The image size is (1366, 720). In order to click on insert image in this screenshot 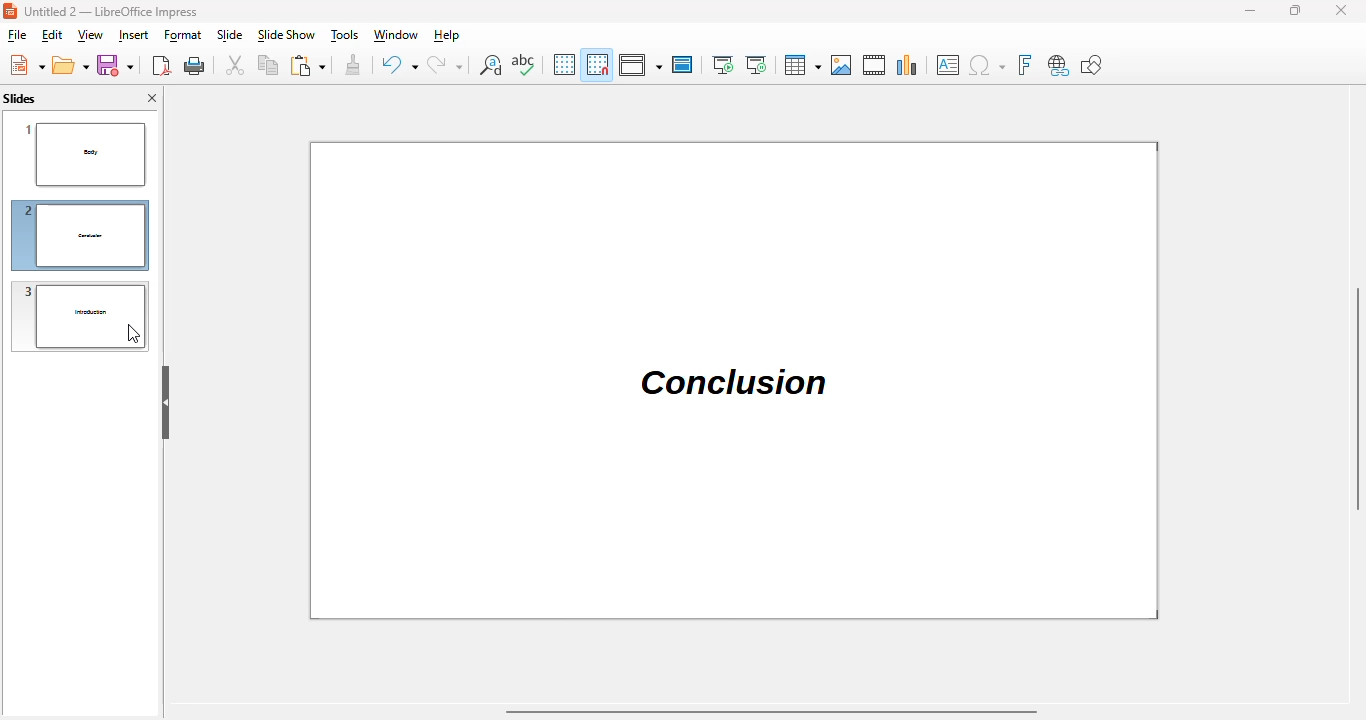, I will do `click(842, 65)`.